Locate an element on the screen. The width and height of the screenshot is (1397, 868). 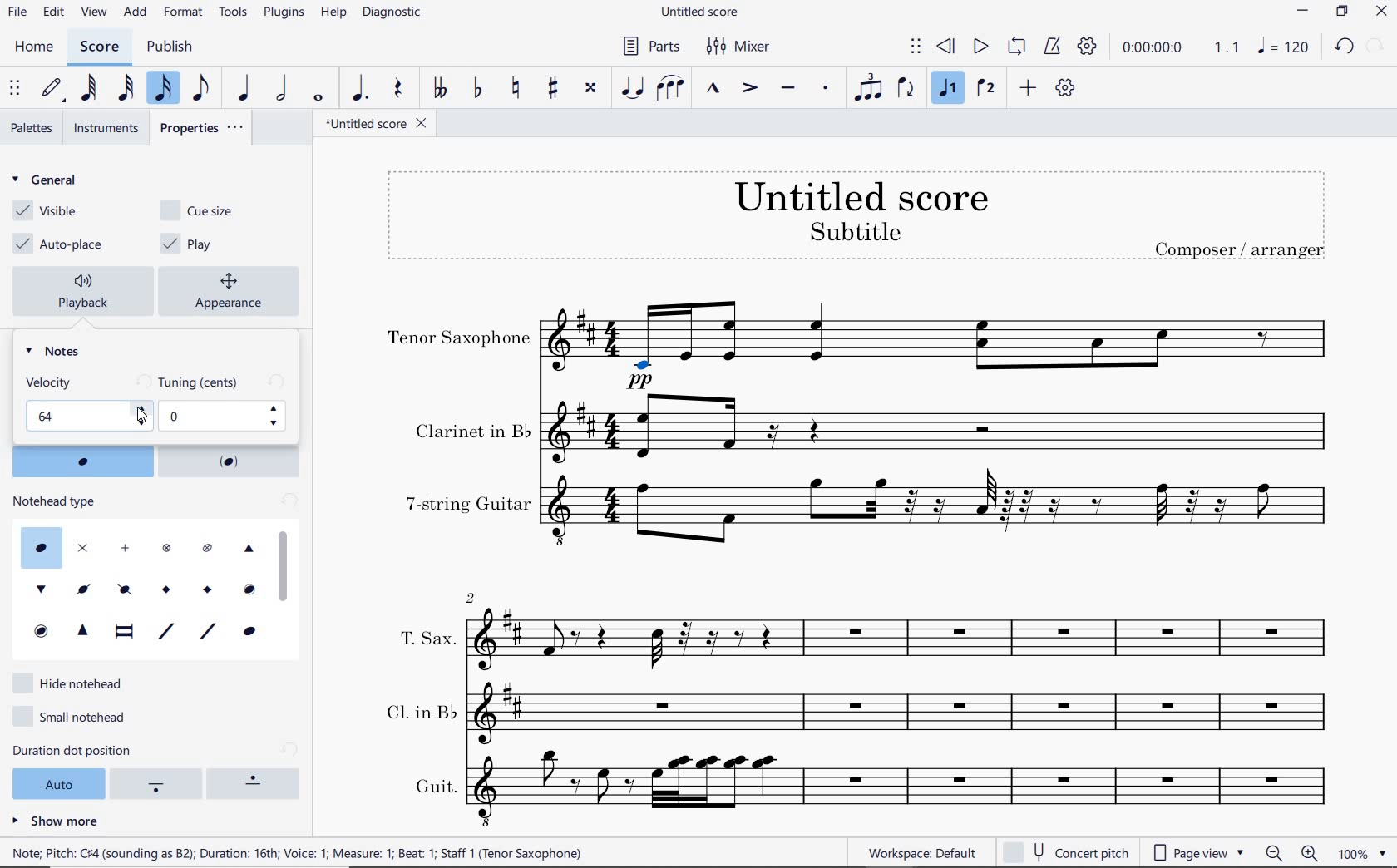
PARTS is located at coordinates (650, 45).